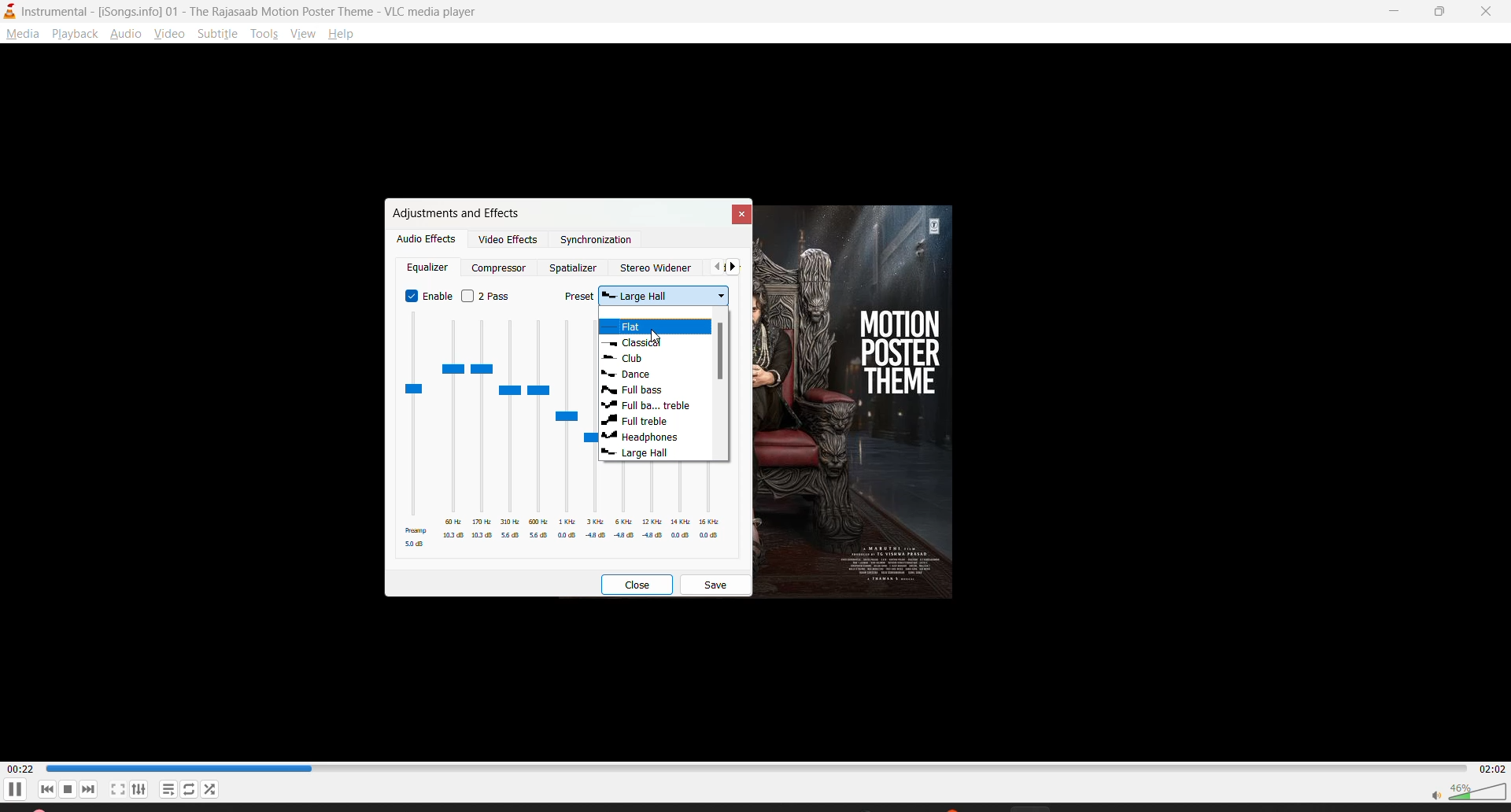  I want to click on loop, so click(190, 788).